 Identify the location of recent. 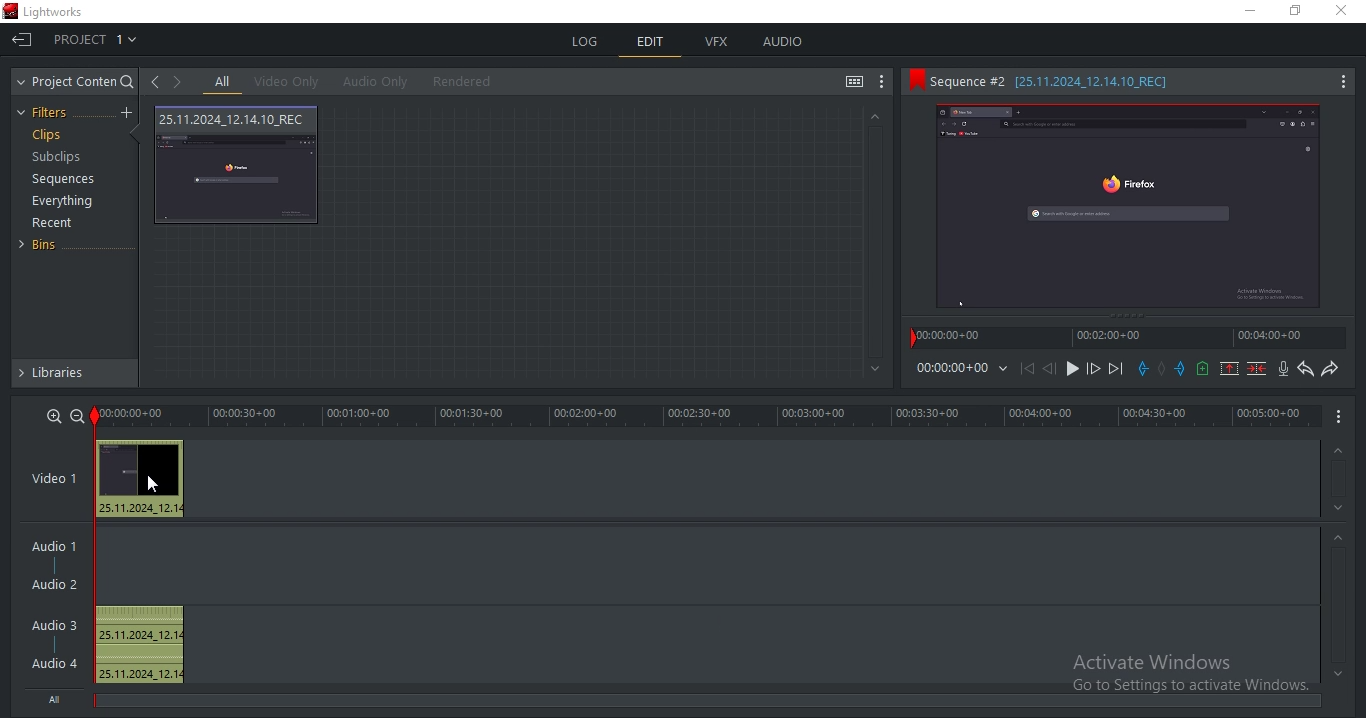
(55, 225).